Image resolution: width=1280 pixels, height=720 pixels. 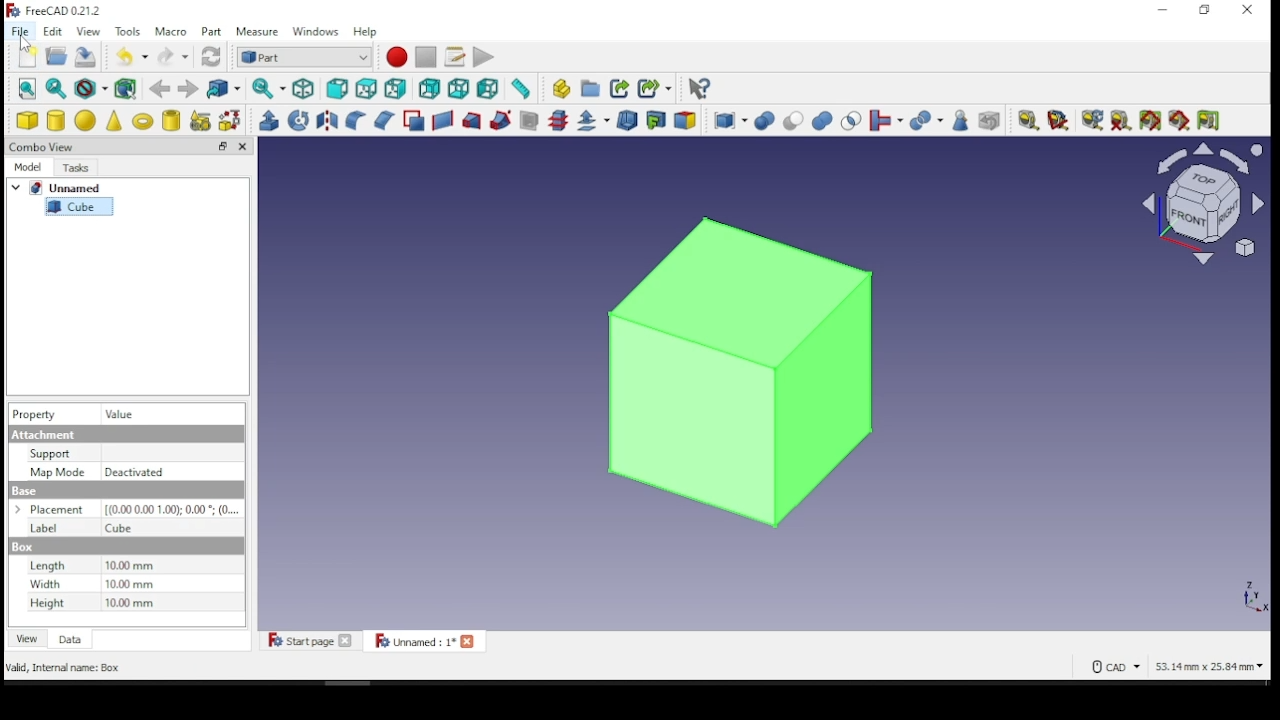 What do you see at coordinates (132, 55) in the screenshot?
I see `undo` at bounding box center [132, 55].